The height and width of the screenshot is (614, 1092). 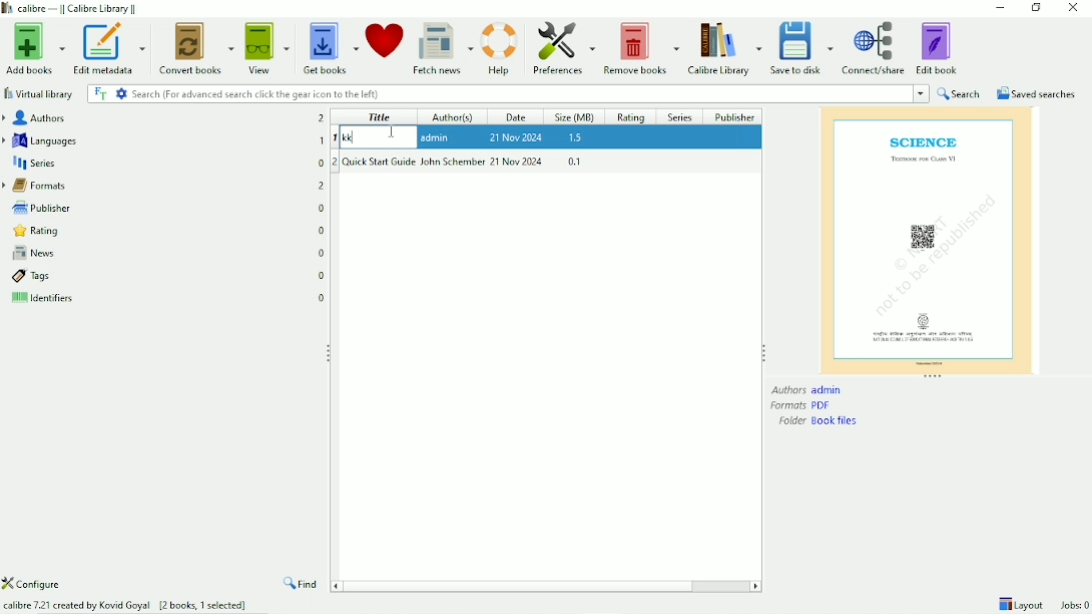 I want to click on Close, so click(x=1072, y=9).